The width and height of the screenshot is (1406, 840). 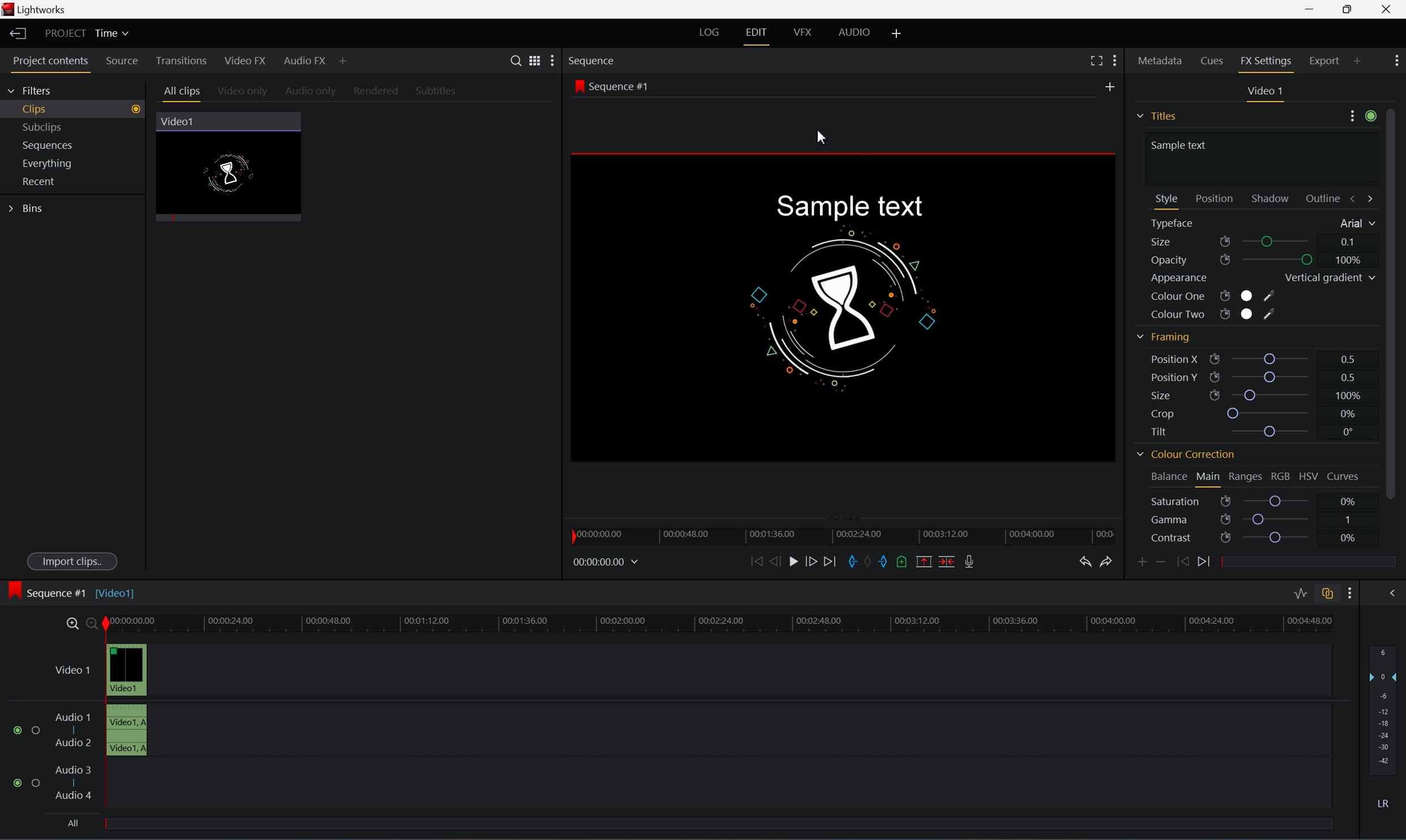 What do you see at coordinates (1086, 563) in the screenshot?
I see `undo` at bounding box center [1086, 563].